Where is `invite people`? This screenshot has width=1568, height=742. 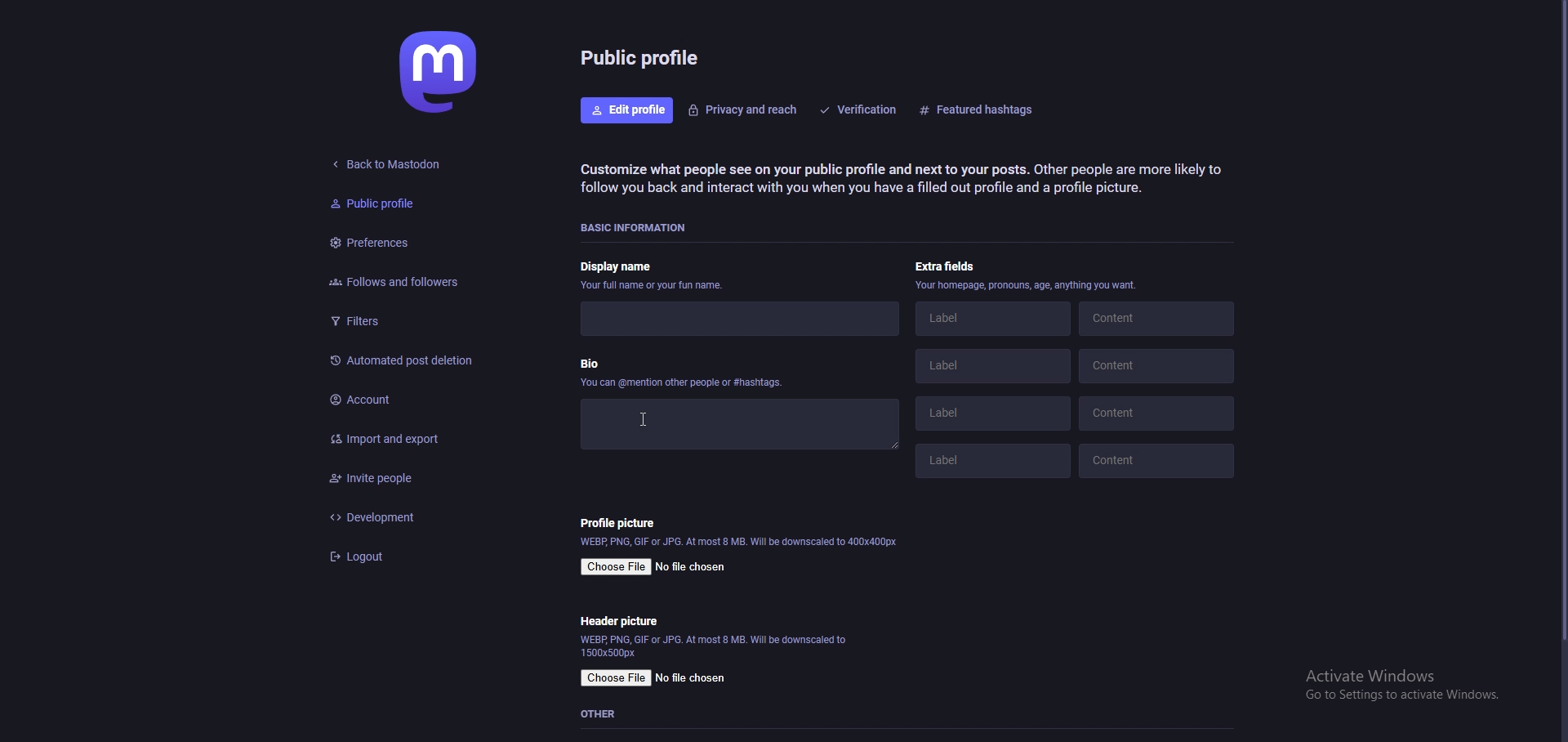 invite people is located at coordinates (405, 477).